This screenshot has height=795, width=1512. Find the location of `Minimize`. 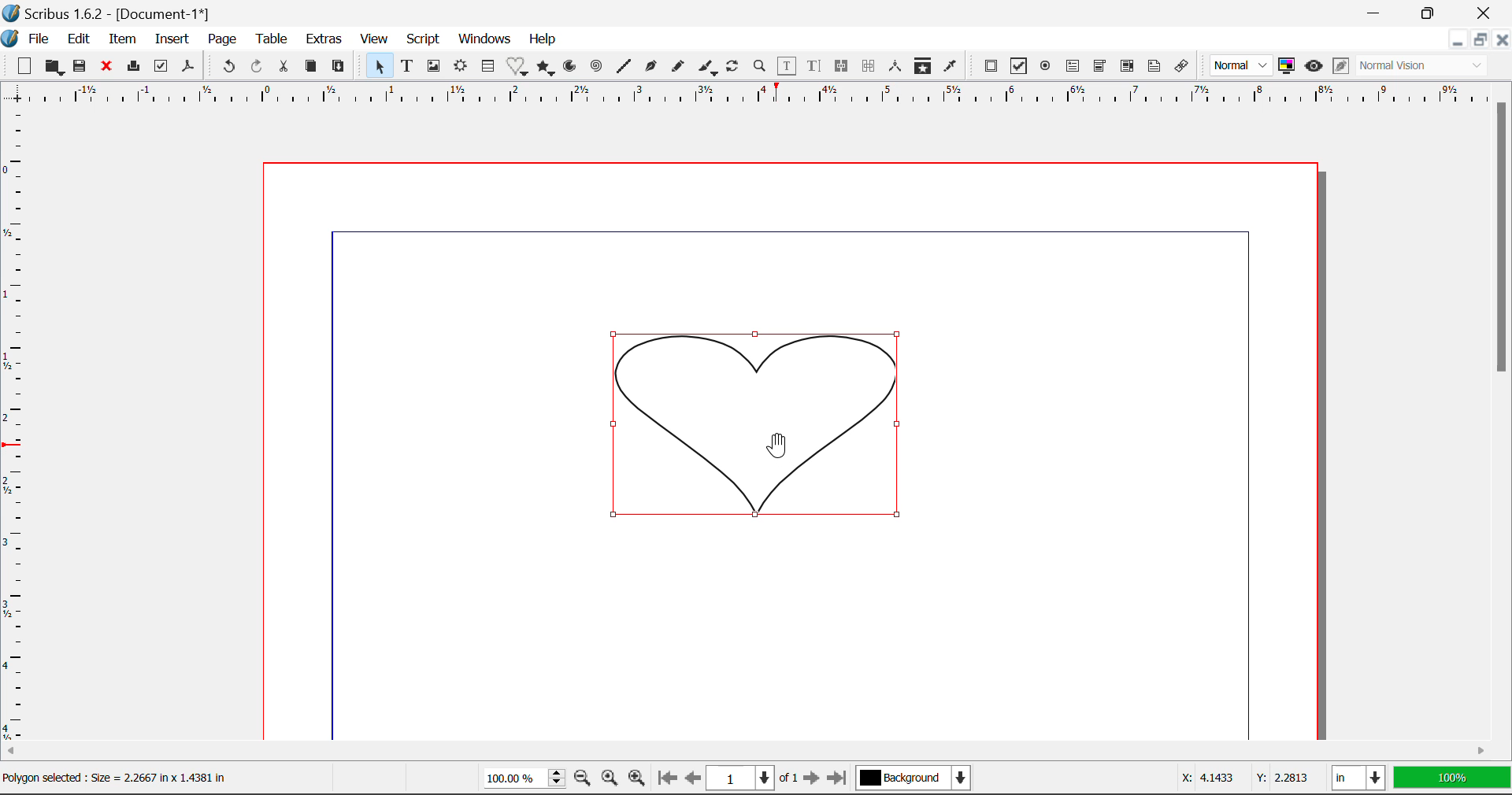

Minimize is located at coordinates (1436, 13).